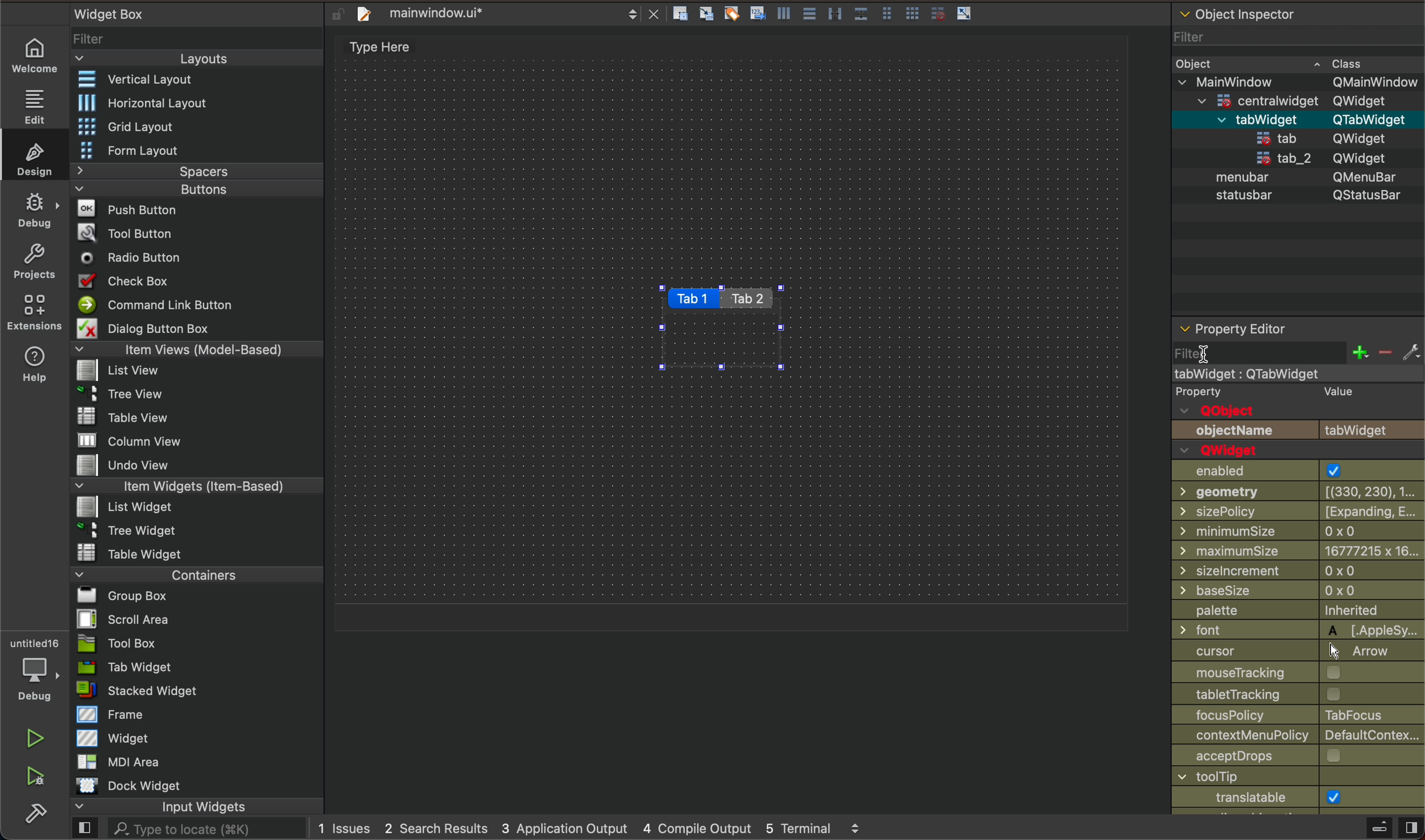 This screenshot has height=840, width=1425. What do you see at coordinates (1389, 828) in the screenshot?
I see `close sidebar` at bounding box center [1389, 828].